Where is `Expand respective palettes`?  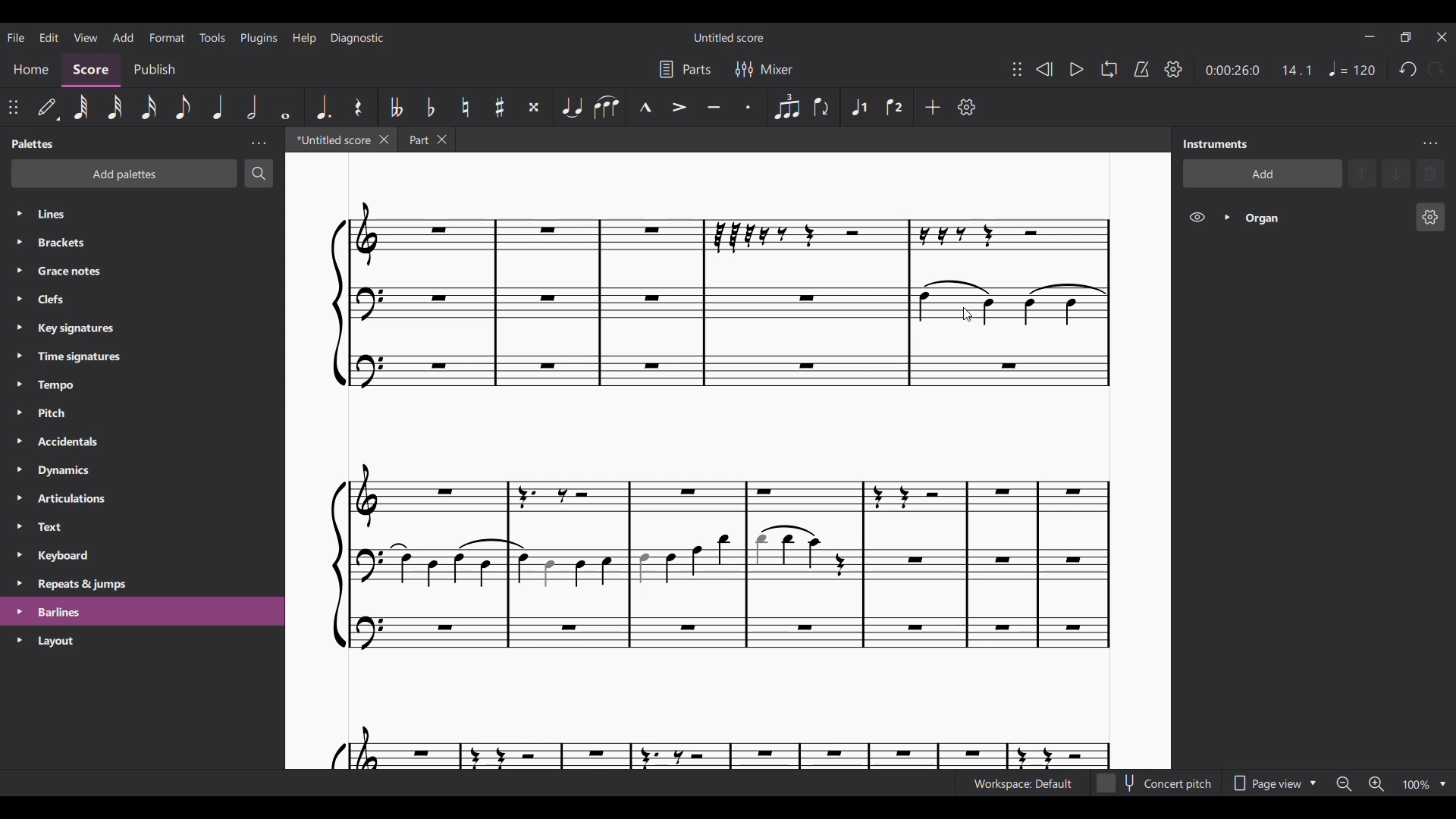
Expand respective palettes is located at coordinates (18, 426).